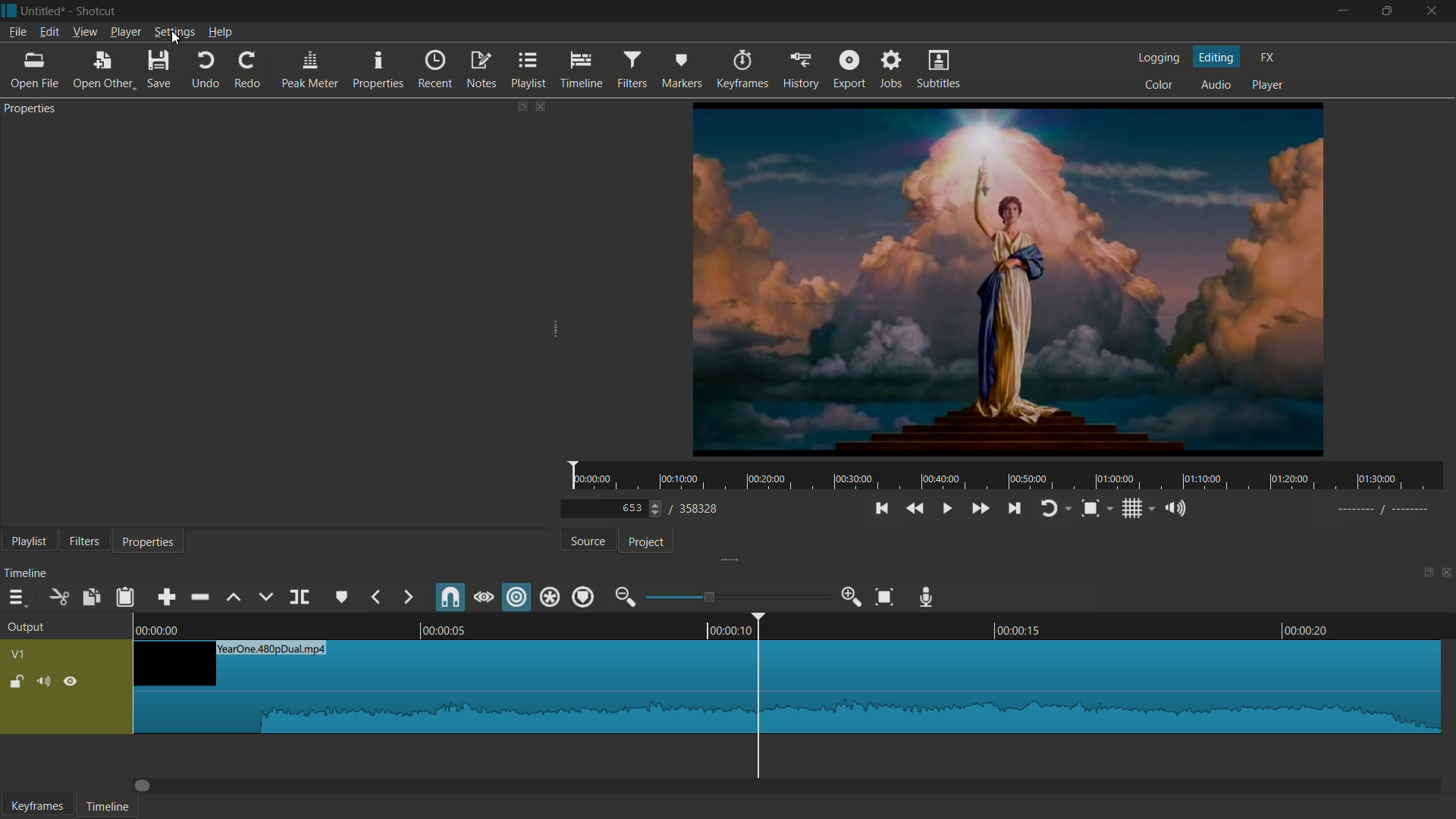 The image size is (1456, 819). Describe the element at coordinates (30, 541) in the screenshot. I see `playlist` at that location.